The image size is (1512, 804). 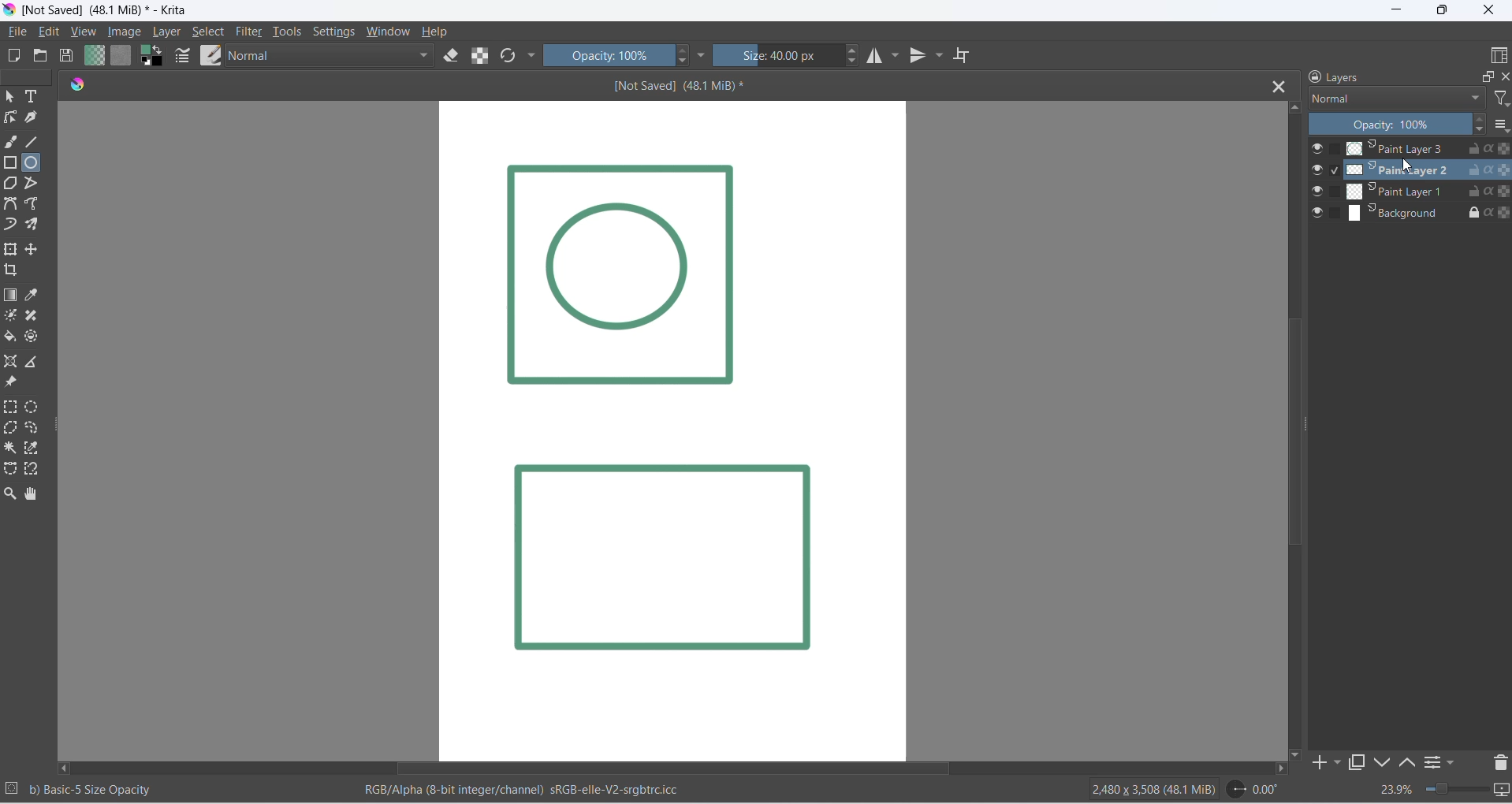 I want to click on eraser mode, so click(x=452, y=57).